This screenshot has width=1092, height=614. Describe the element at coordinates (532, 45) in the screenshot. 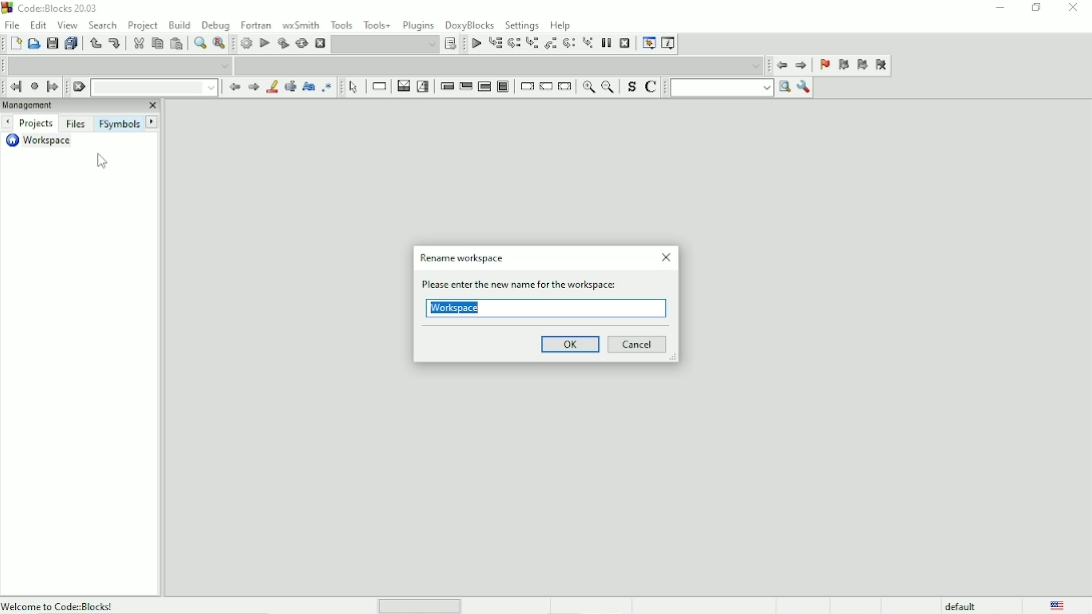

I see `Step into` at that location.